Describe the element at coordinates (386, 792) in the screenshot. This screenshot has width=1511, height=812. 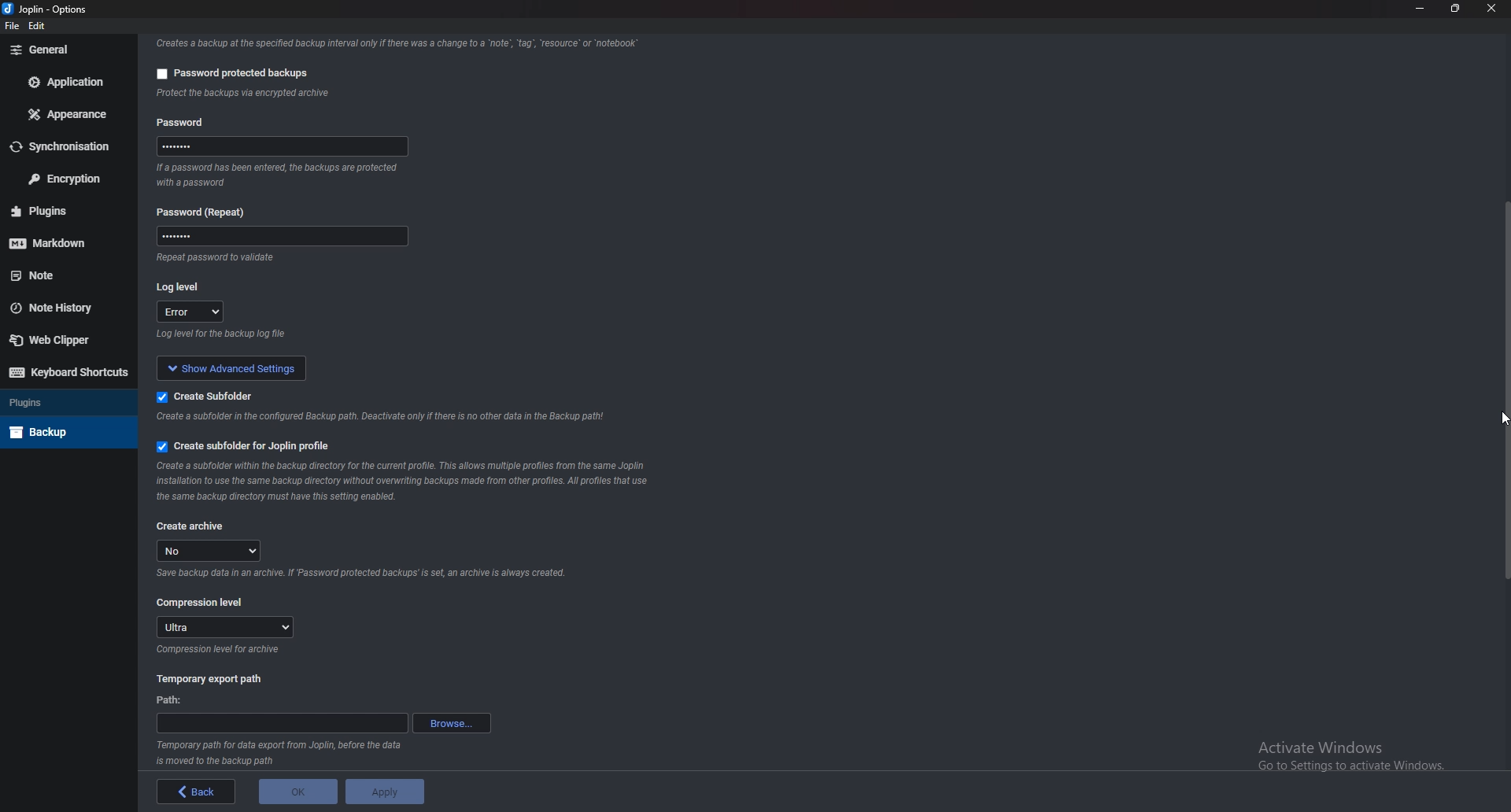
I see `apply` at that location.